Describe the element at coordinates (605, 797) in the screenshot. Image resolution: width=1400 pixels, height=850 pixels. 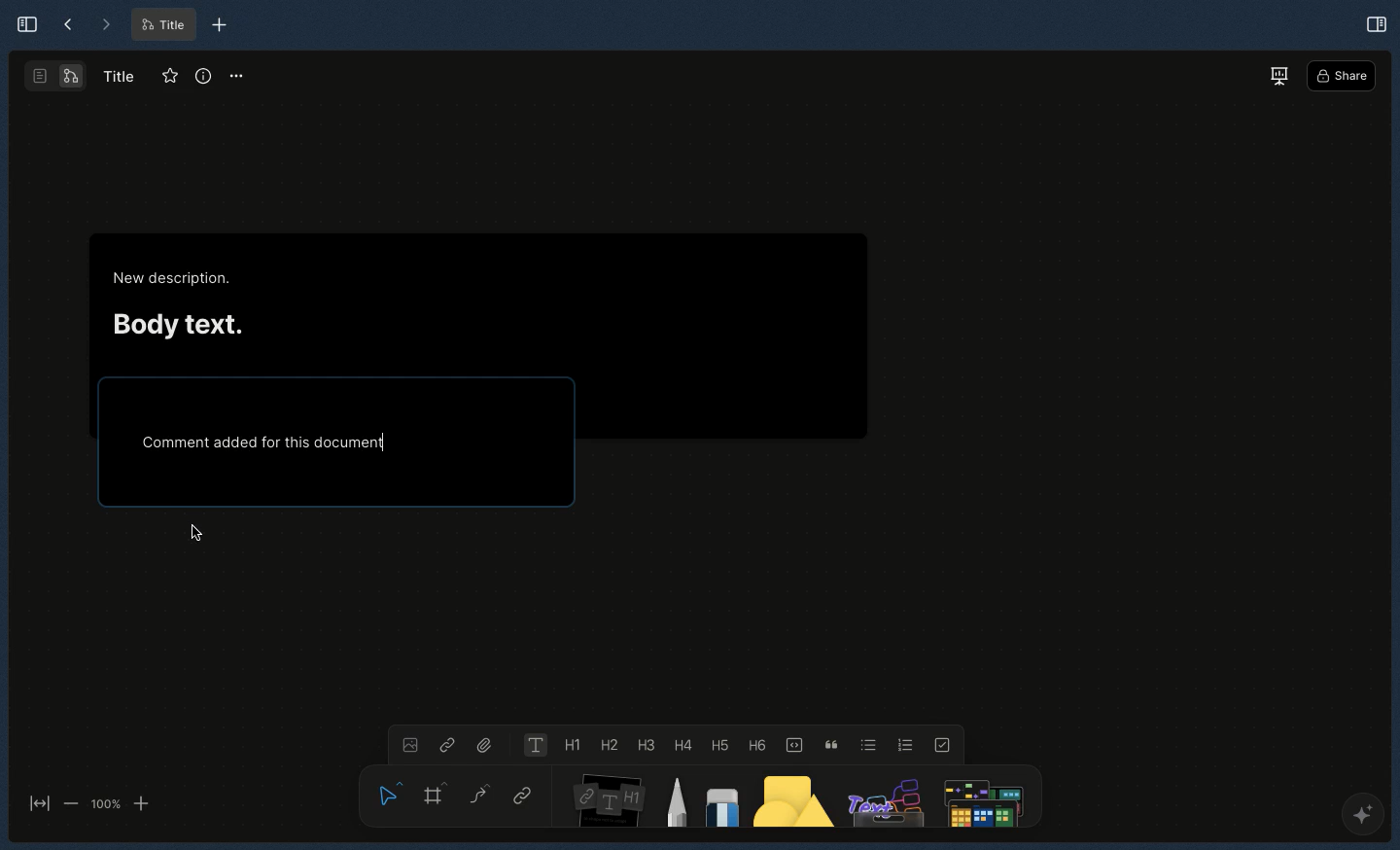
I see `Note` at that location.